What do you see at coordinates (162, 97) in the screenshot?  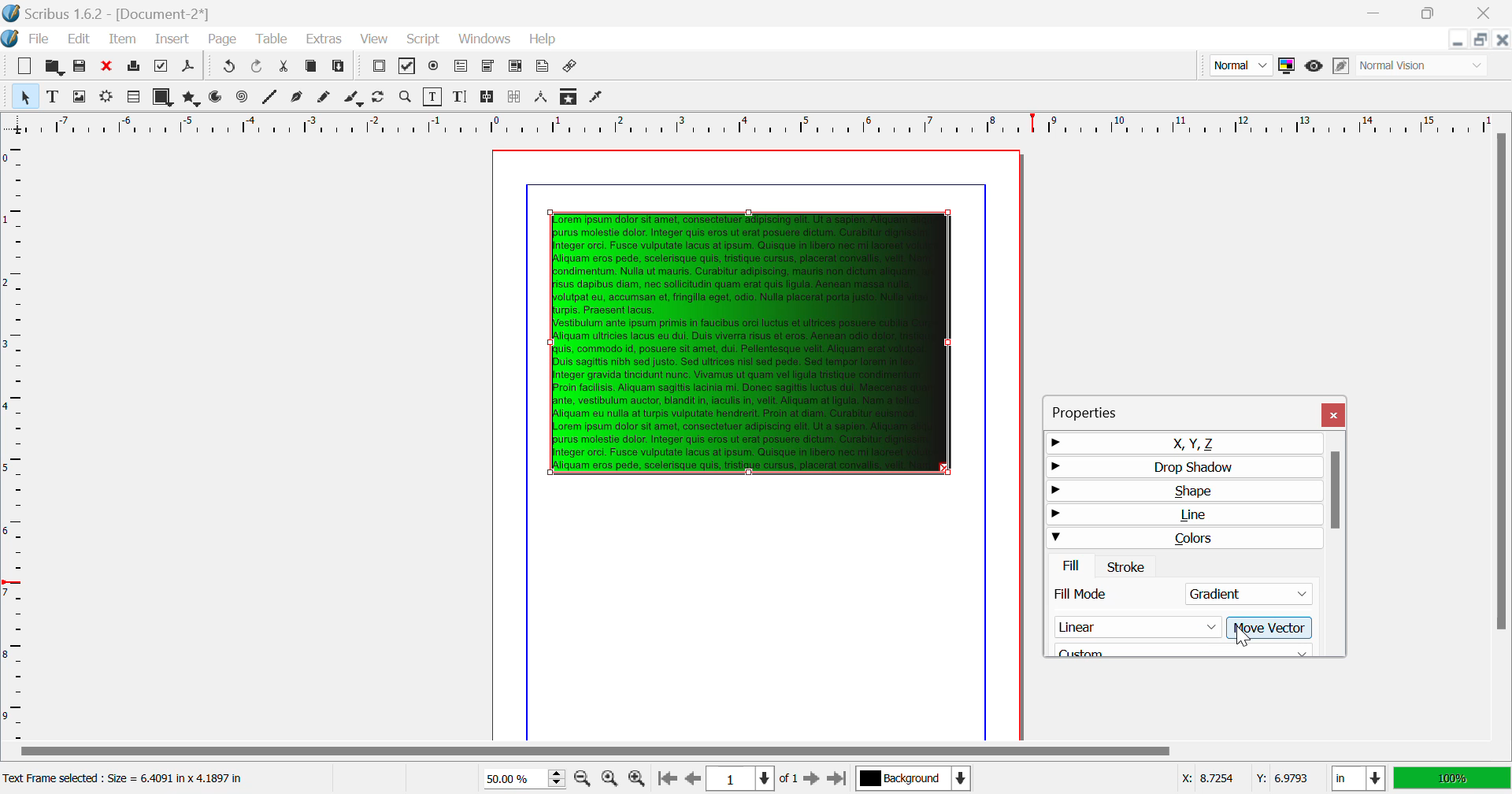 I see `Shapes` at bounding box center [162, 97].